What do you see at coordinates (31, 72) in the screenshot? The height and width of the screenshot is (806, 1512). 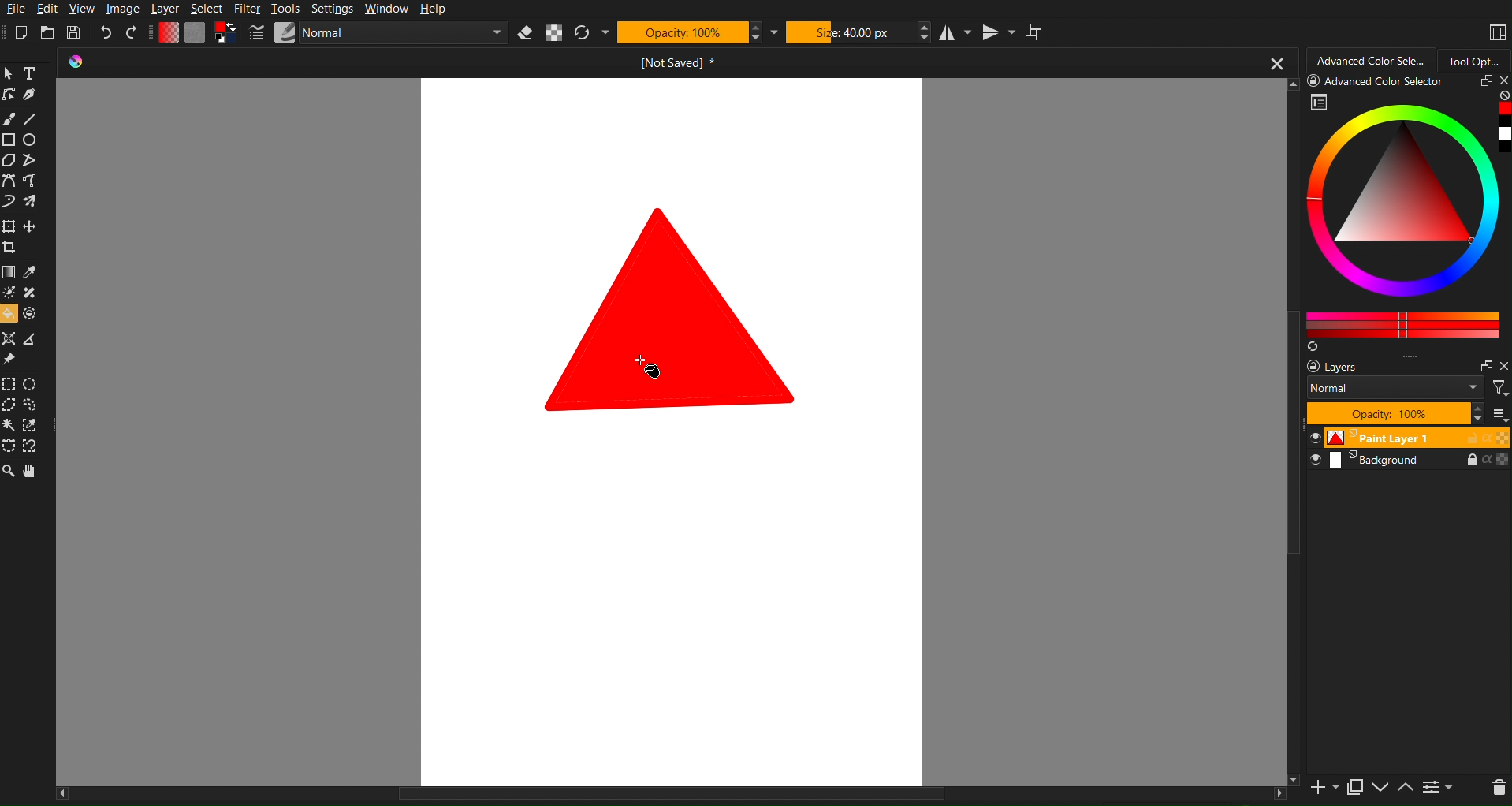 I see `Text` at bounding box center [31, 72].